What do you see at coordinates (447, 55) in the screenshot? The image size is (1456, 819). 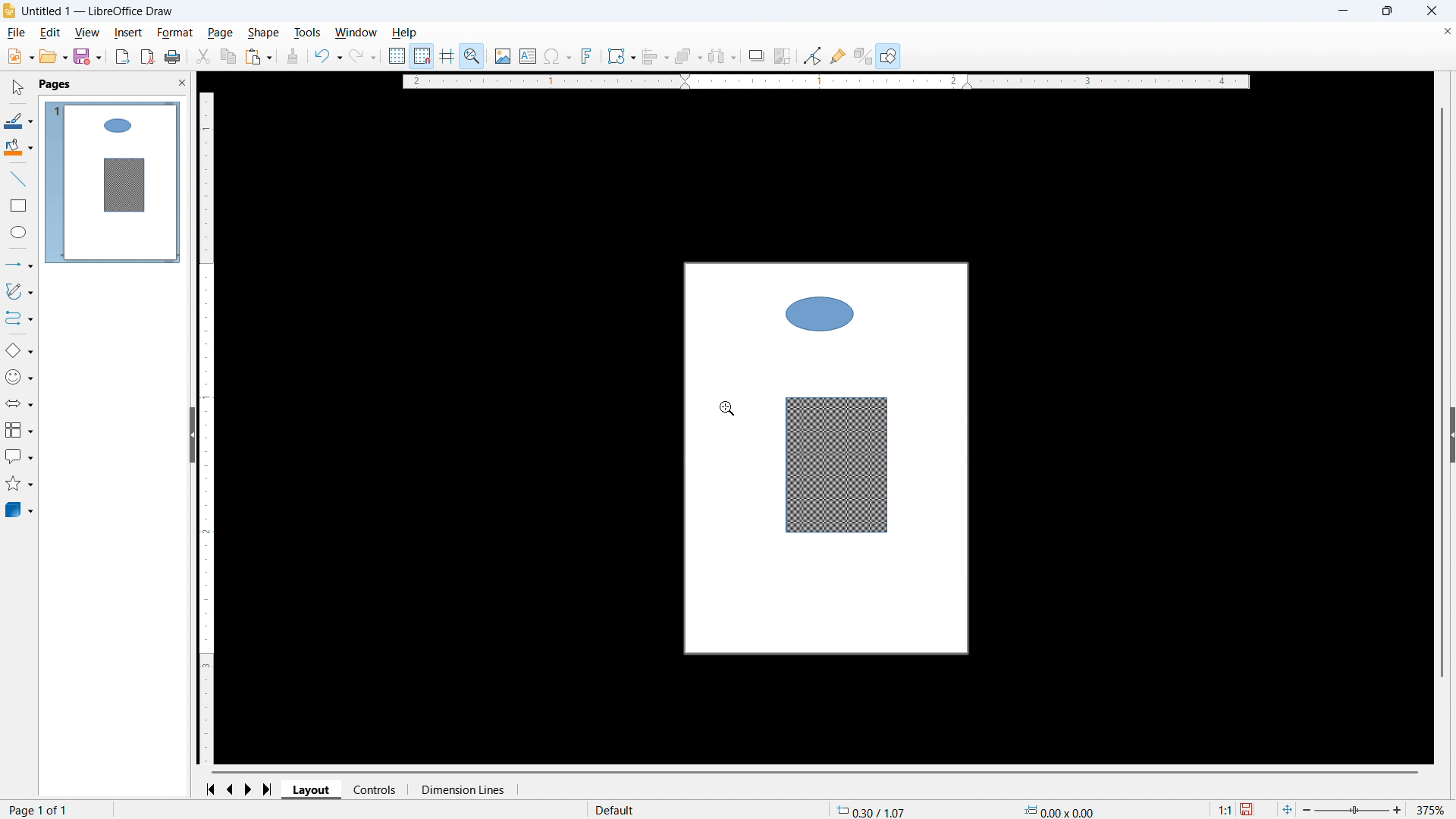 I see `Guidelines while moving ` at bounding box center [447, 55].